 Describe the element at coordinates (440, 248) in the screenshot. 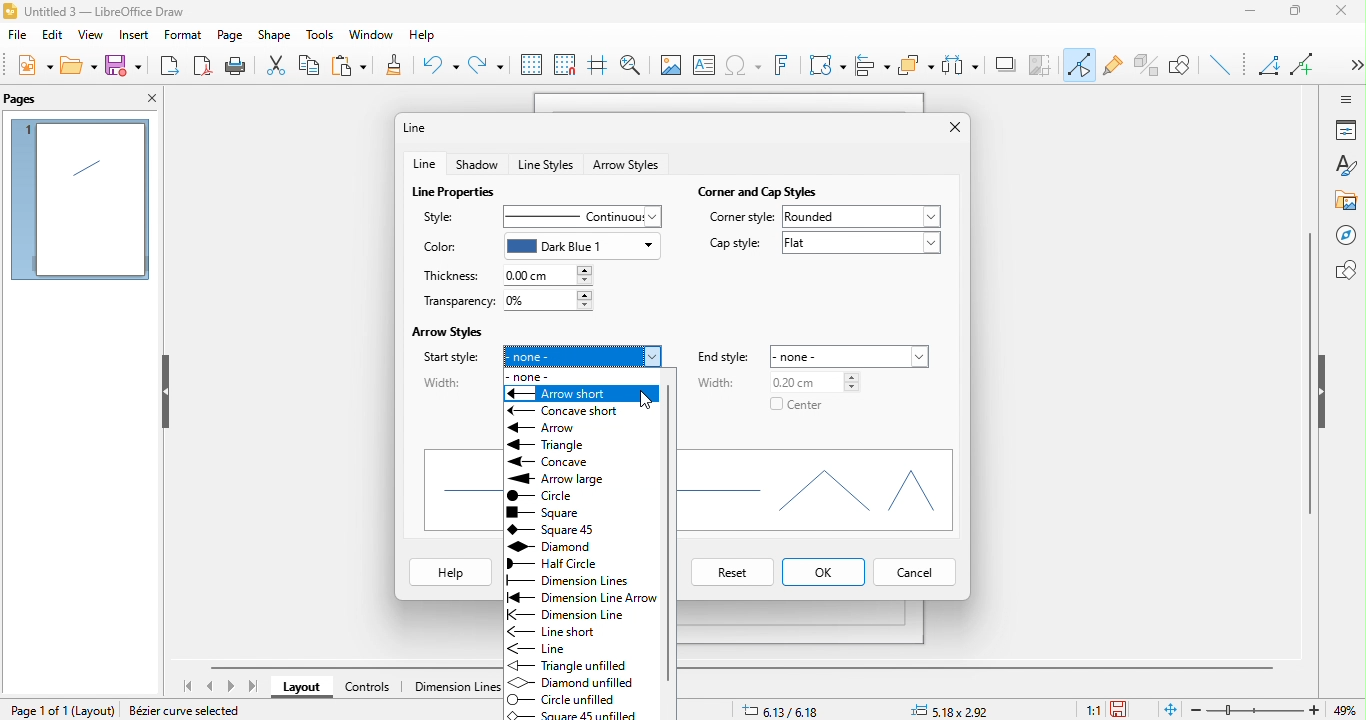

I see `color` at that location.